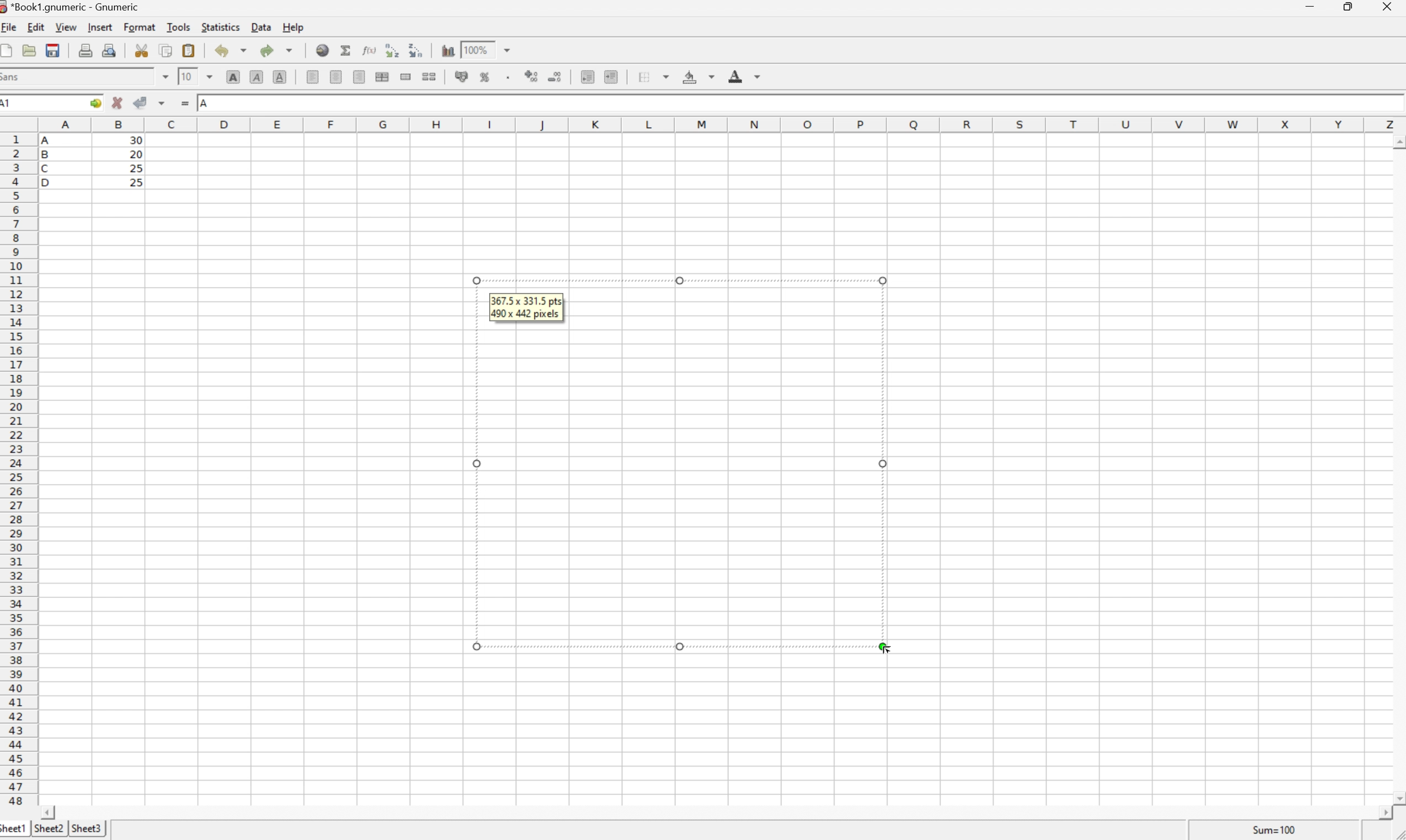 The image size is (1406, 840). Describe the element at coordinates (525, 301) in the screenshot. I see `367.5*331.5 pts` at that location.